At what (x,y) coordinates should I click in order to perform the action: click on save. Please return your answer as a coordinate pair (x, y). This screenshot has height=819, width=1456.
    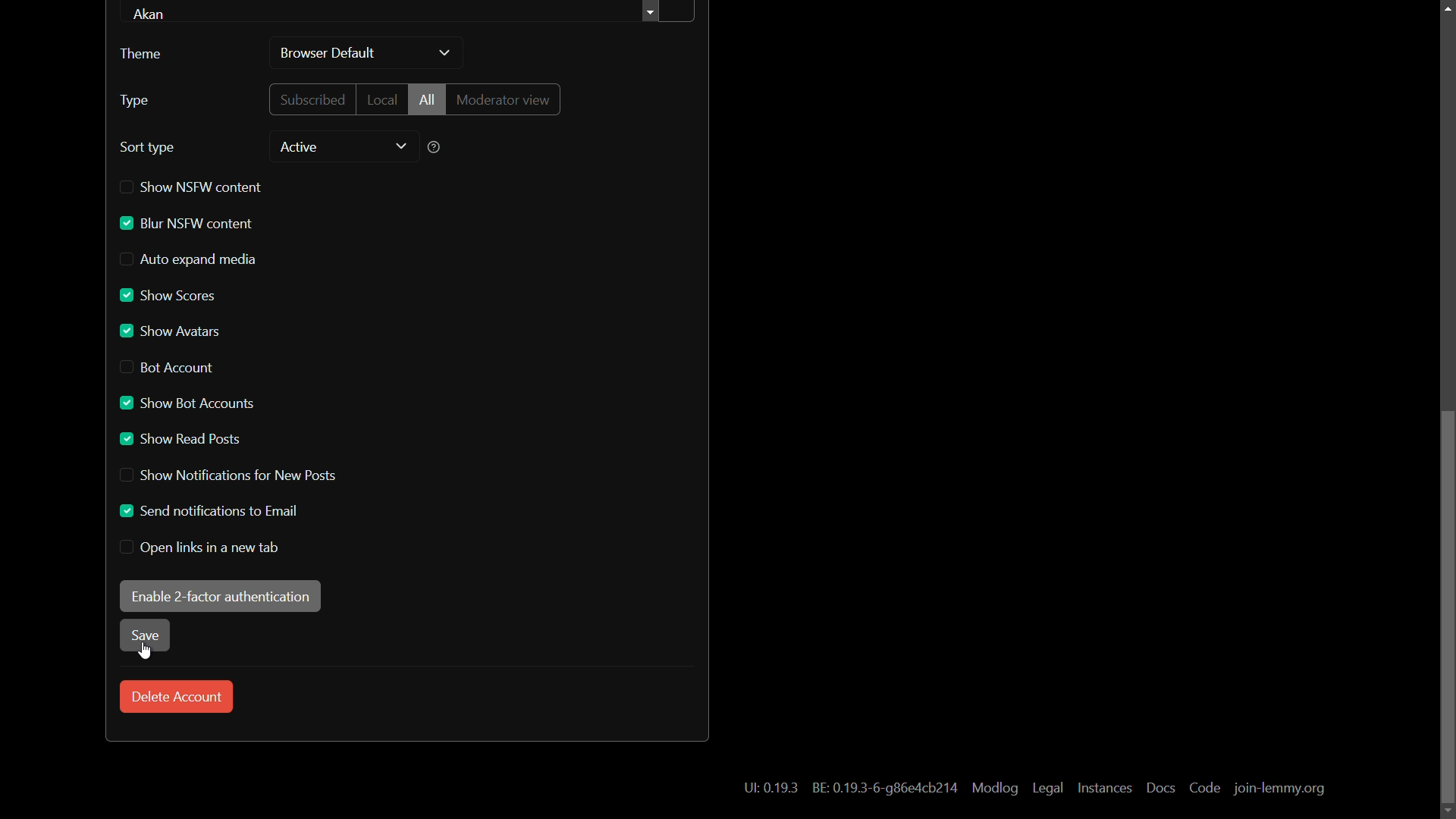
    Looking at the image, I should click on (143, 636).